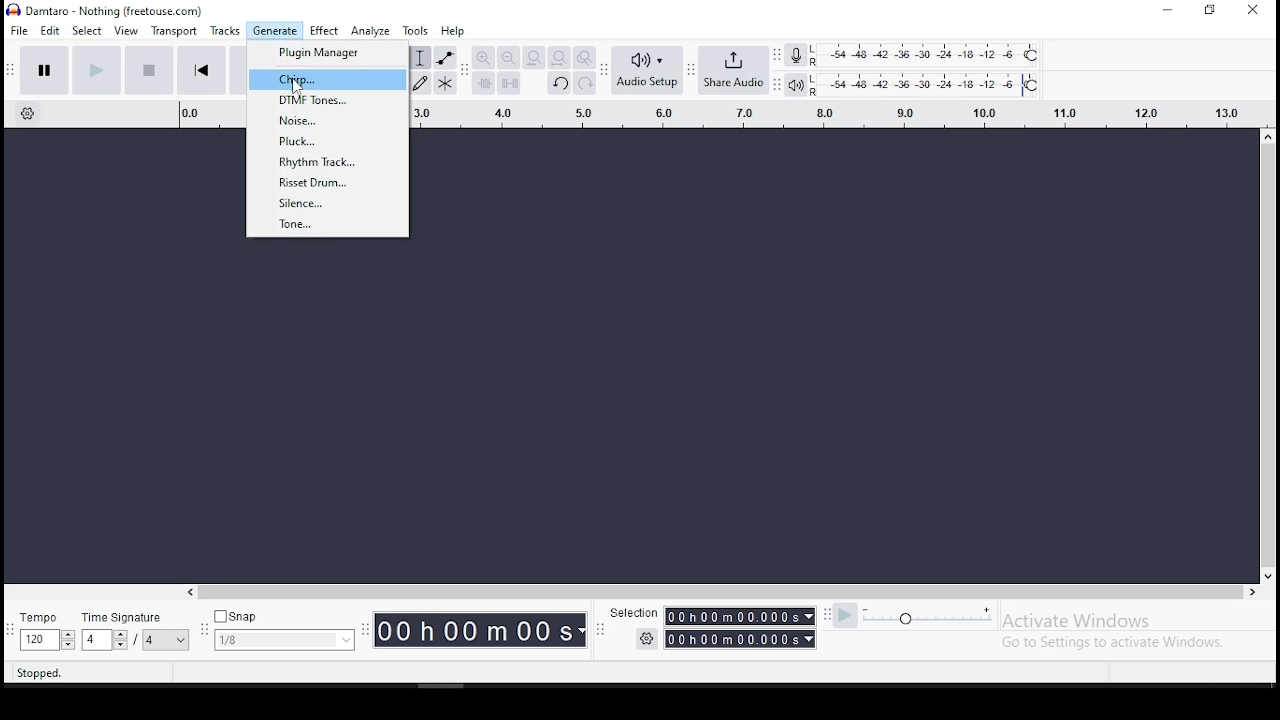 The image size is (1280, 720). What do you see at coordinates (53, 33) in the screenshot?
I see `edit` at bounding box center [53, 33].